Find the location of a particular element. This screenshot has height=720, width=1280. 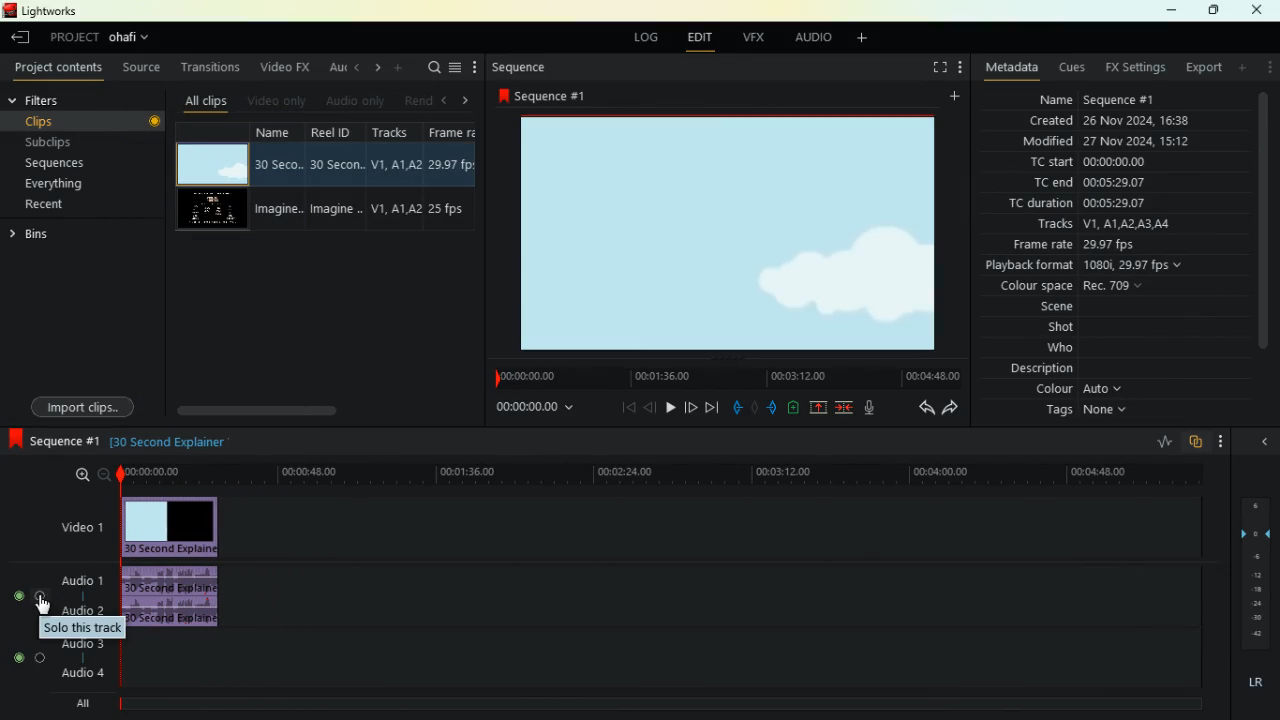

cues is located at coordinates (1066, 67).